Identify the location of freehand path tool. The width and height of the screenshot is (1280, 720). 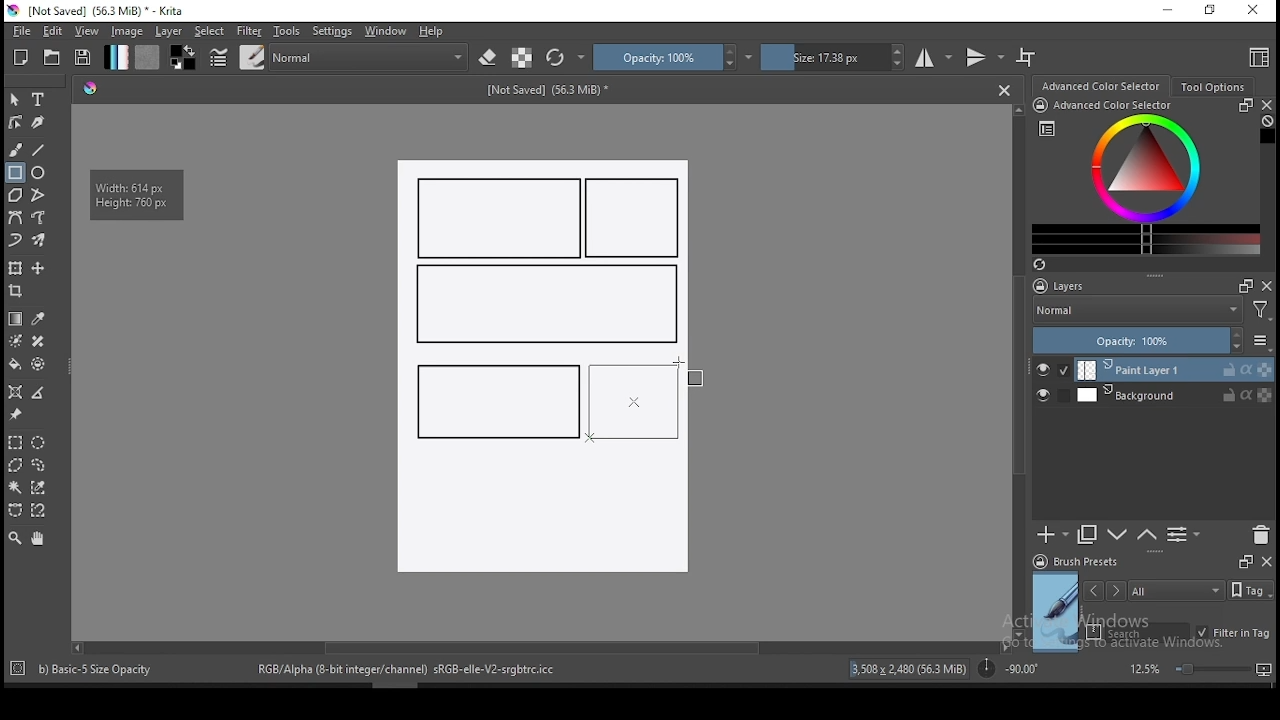
(40, 218).